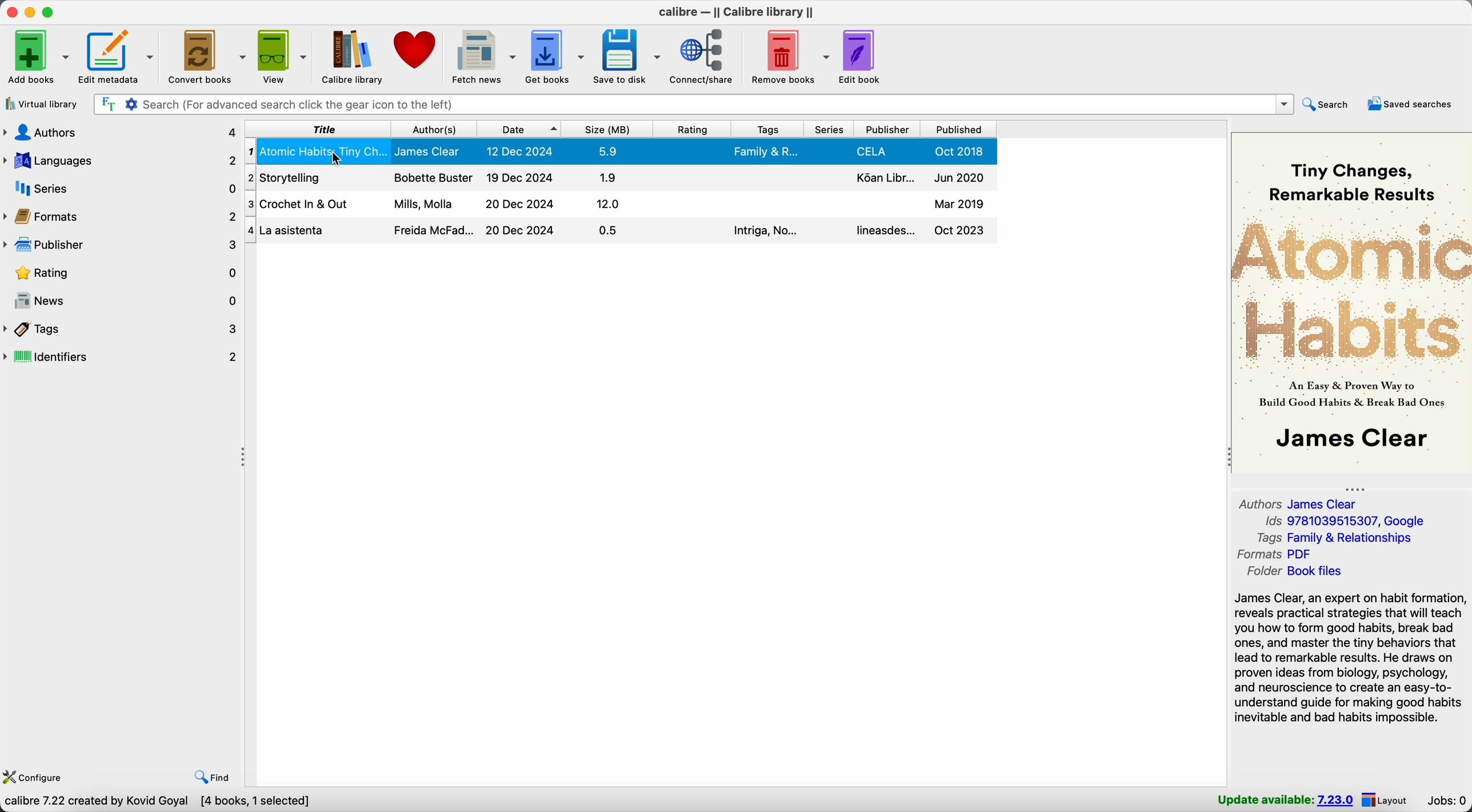 Image resolution: width=1472 pixels, height=812 pixels. I want to click on date, so click(519, 129).